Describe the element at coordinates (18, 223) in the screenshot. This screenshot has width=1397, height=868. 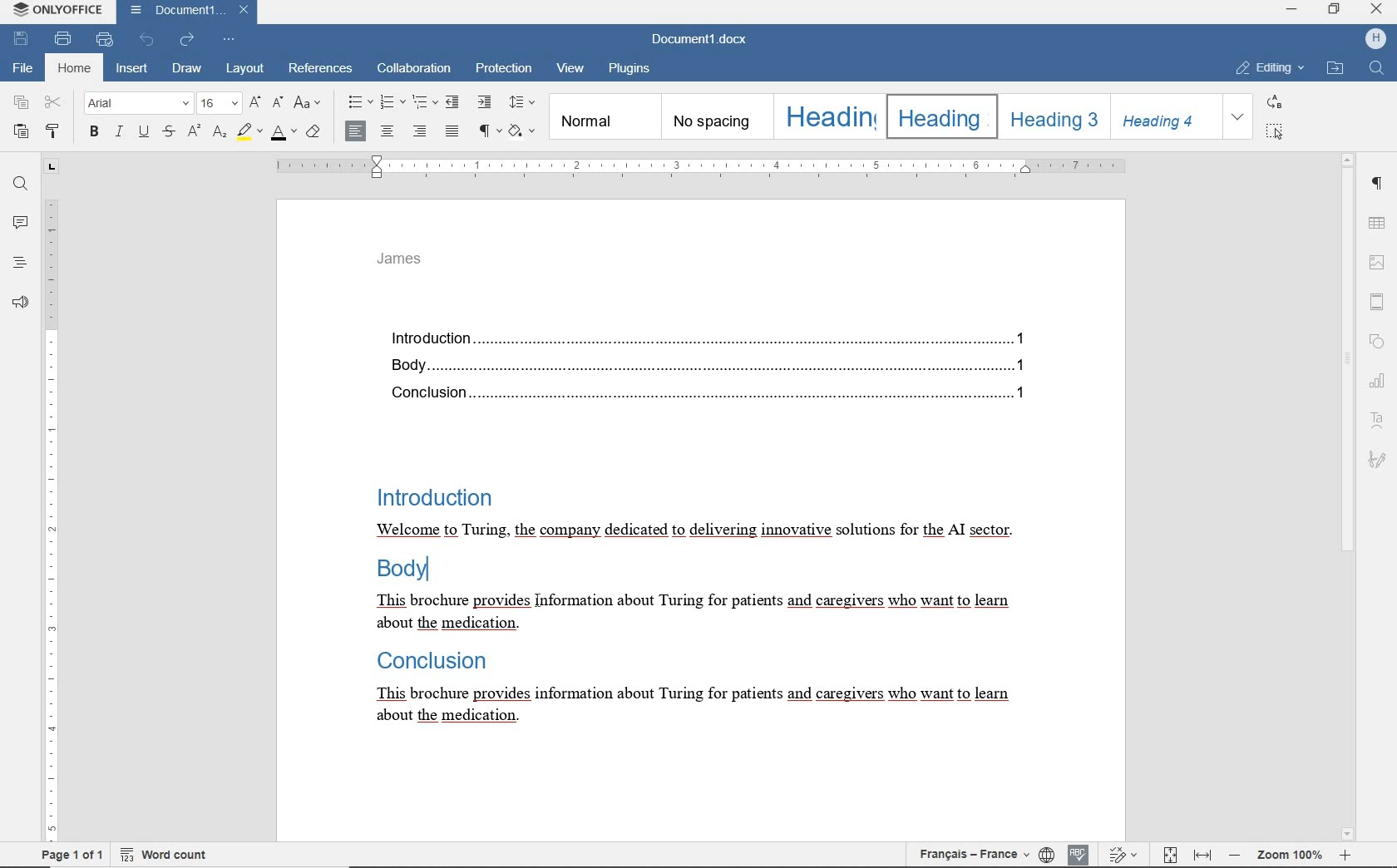
I see `COMMENTS` at that location.